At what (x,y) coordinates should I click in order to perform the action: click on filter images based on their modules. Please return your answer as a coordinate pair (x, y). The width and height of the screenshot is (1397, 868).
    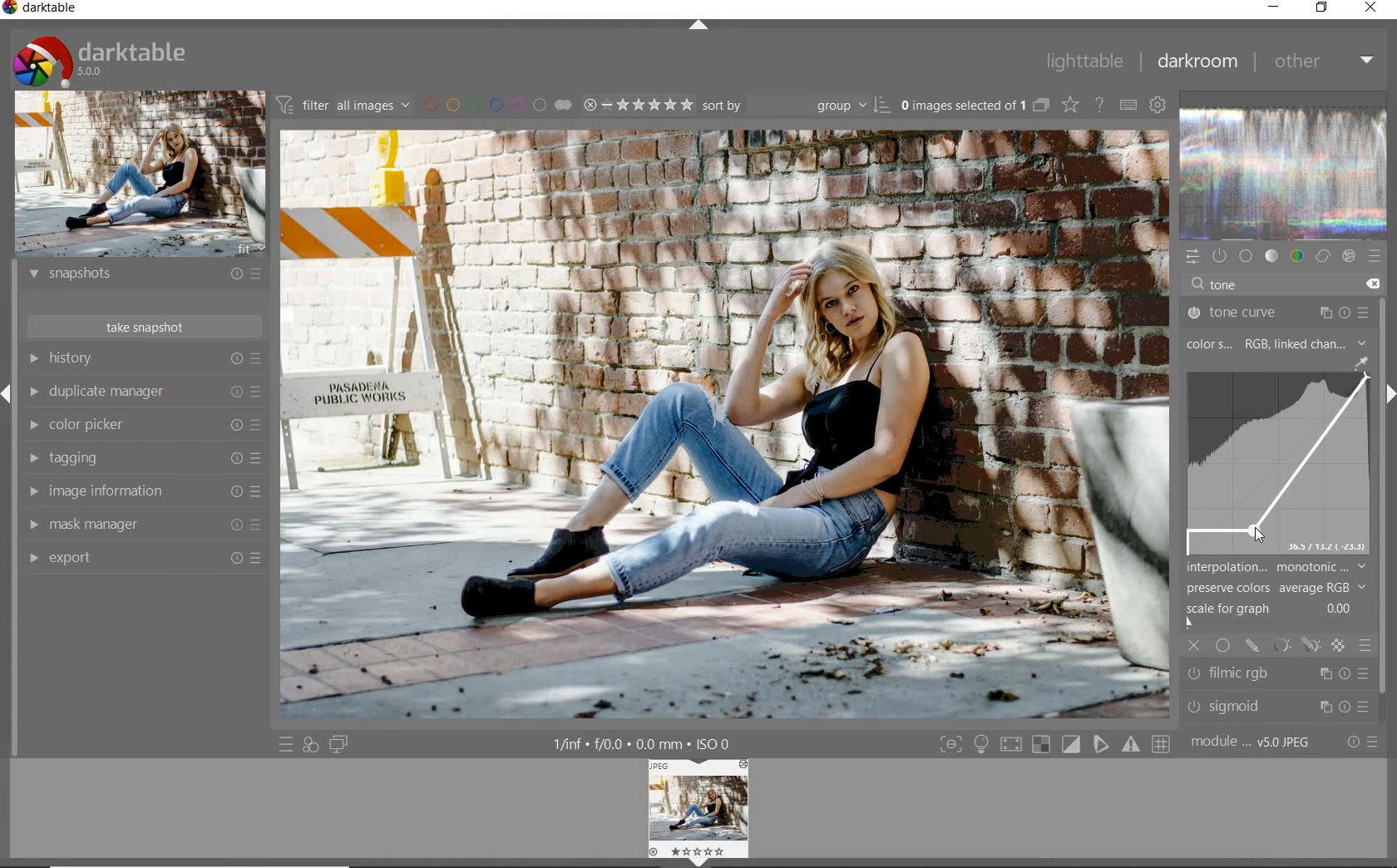
    Looking at the image, I should click on (346, 106).